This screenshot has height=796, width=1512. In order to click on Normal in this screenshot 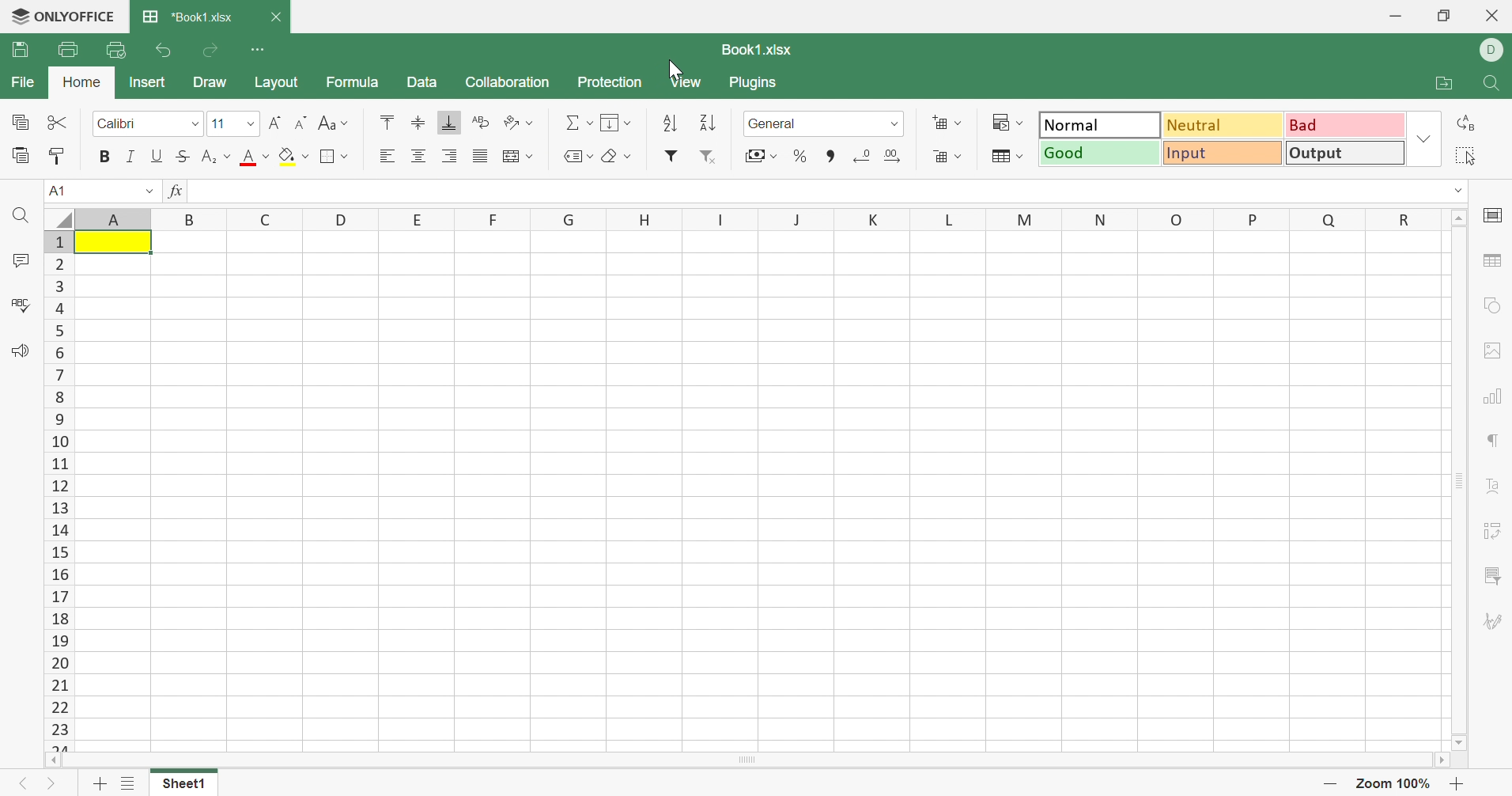, I will do `click(1099, 123)`.